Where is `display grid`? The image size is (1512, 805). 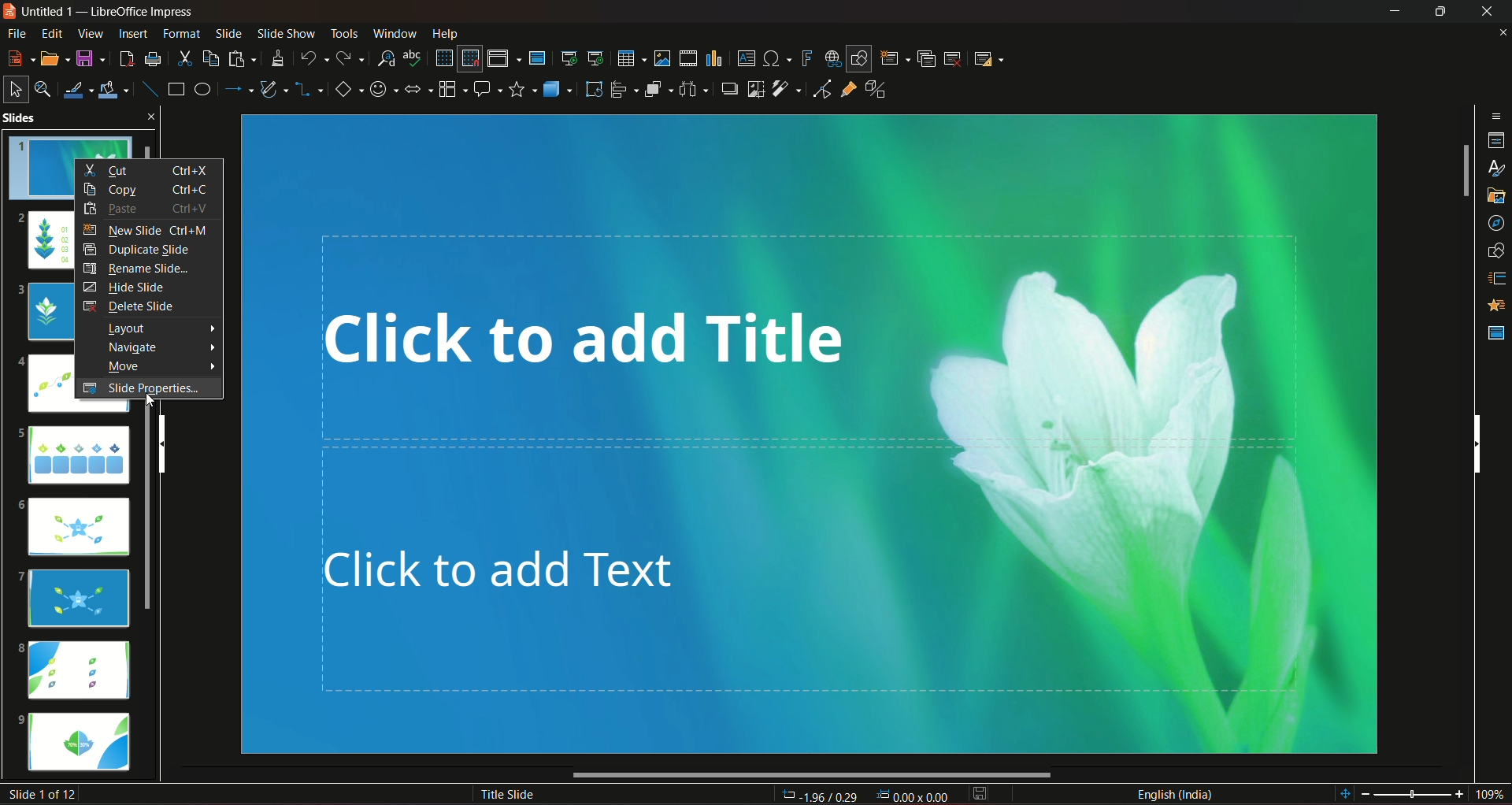
display grid is located at coordinates (443, 57).